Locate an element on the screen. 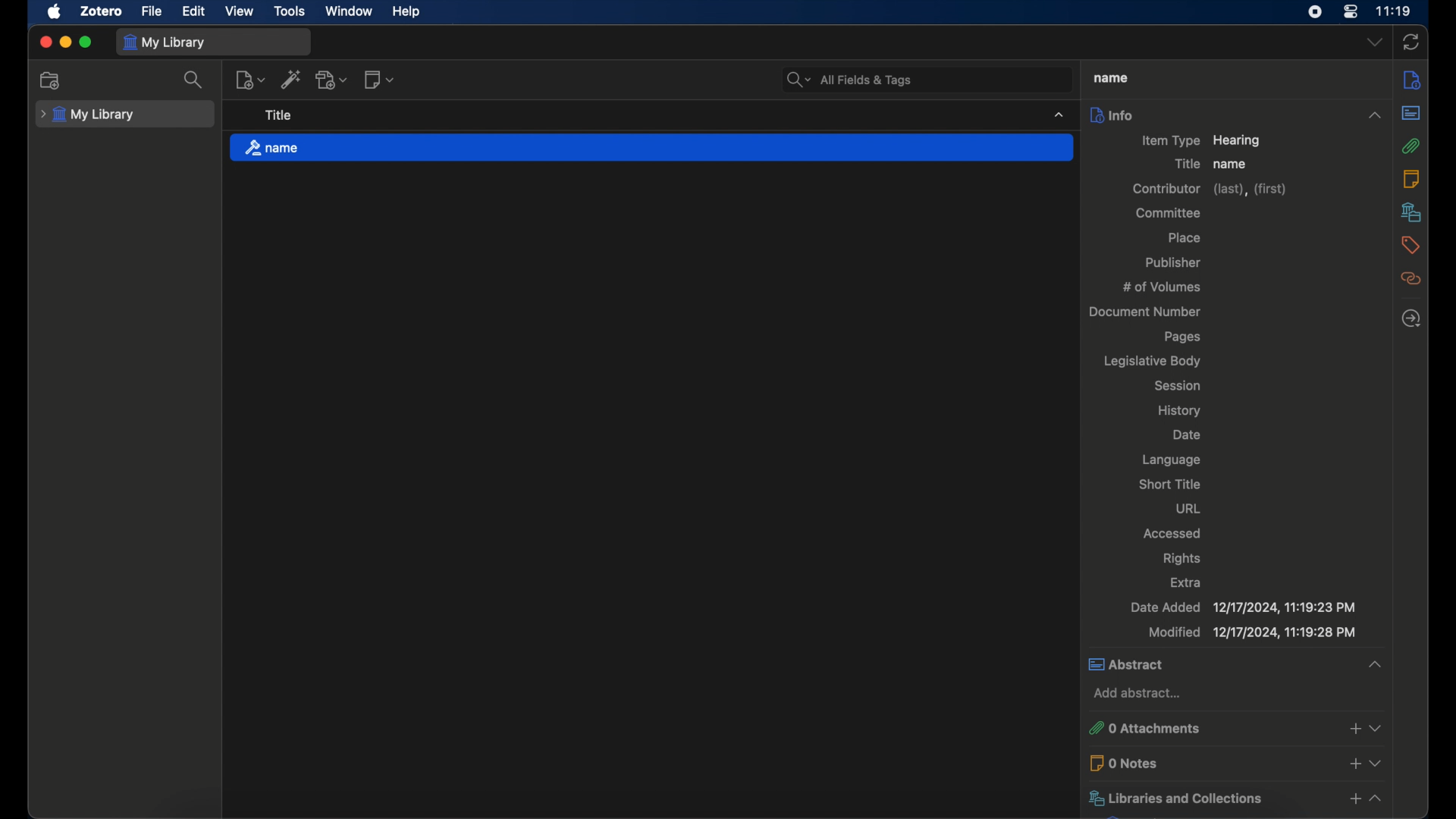  rights is located at coordinates (1182, 559).